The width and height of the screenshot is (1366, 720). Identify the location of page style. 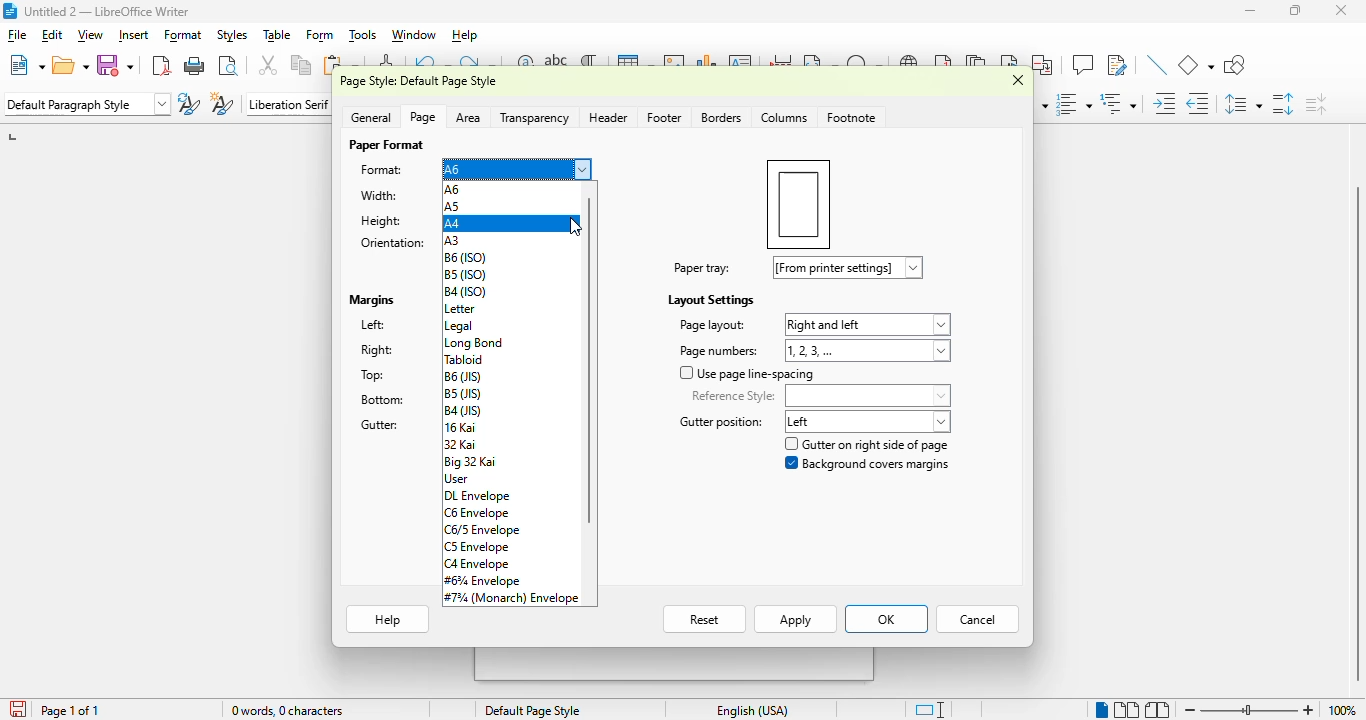
(531, 710).